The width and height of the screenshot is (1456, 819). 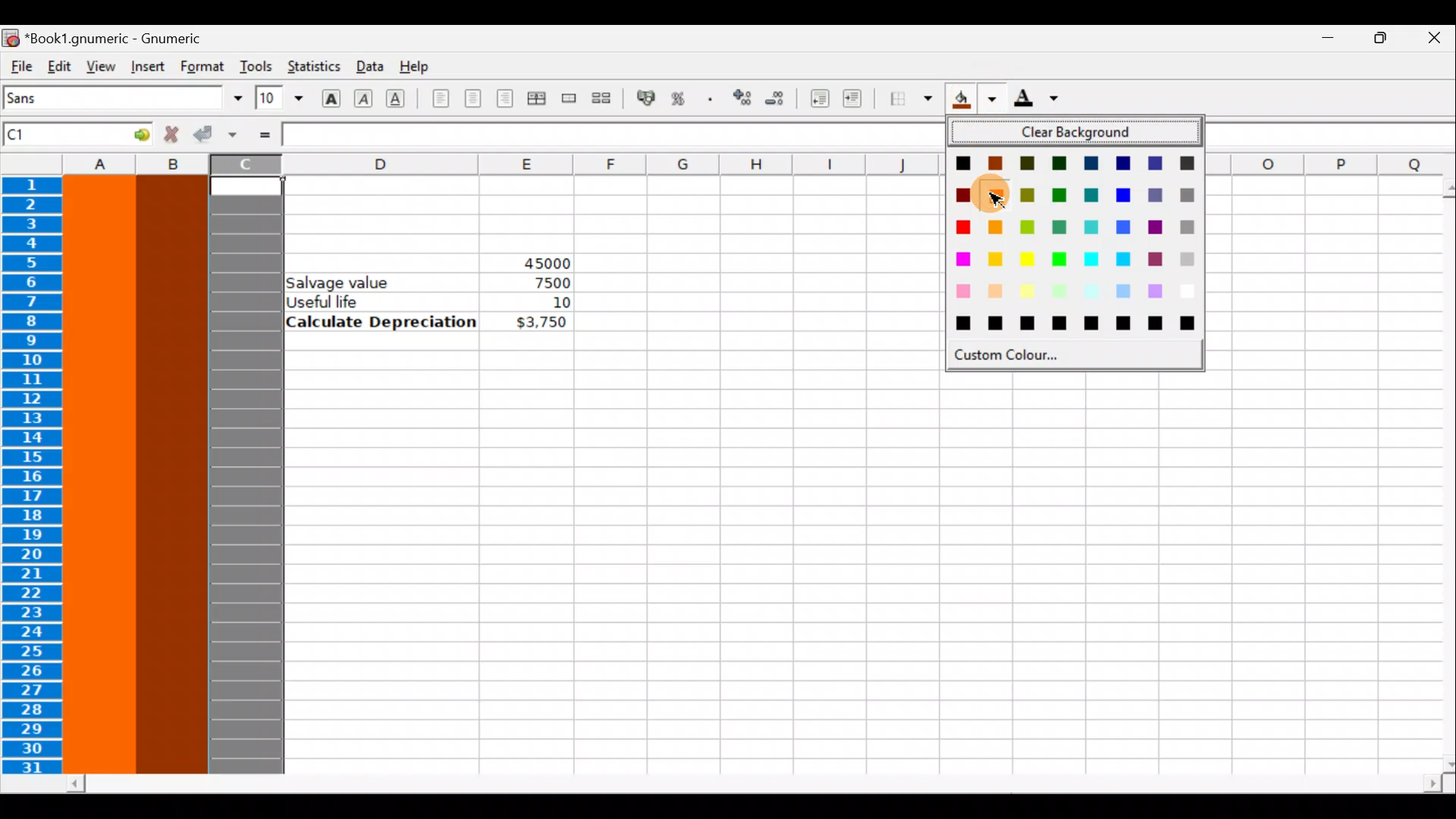 I want to click on View, so click(x=96, y=65).